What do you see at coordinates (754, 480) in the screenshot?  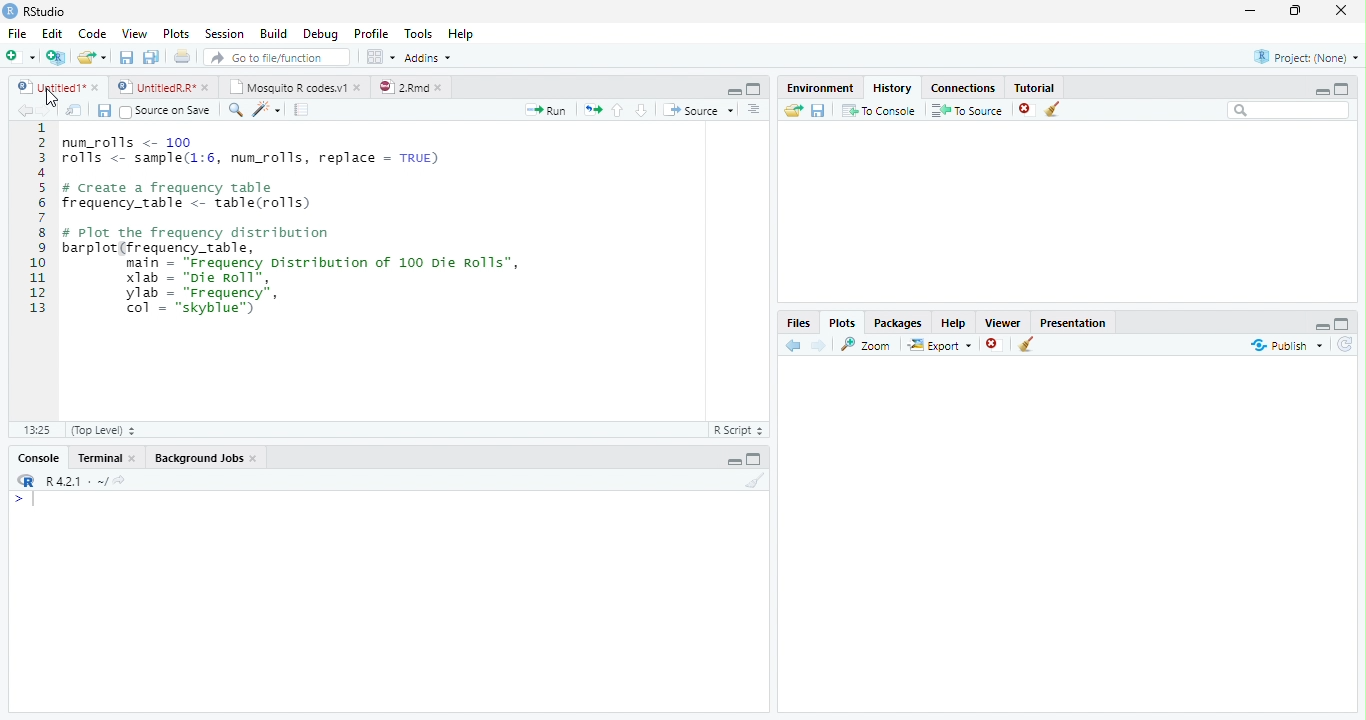 I see `Clear` at bounding box center [754, 480].